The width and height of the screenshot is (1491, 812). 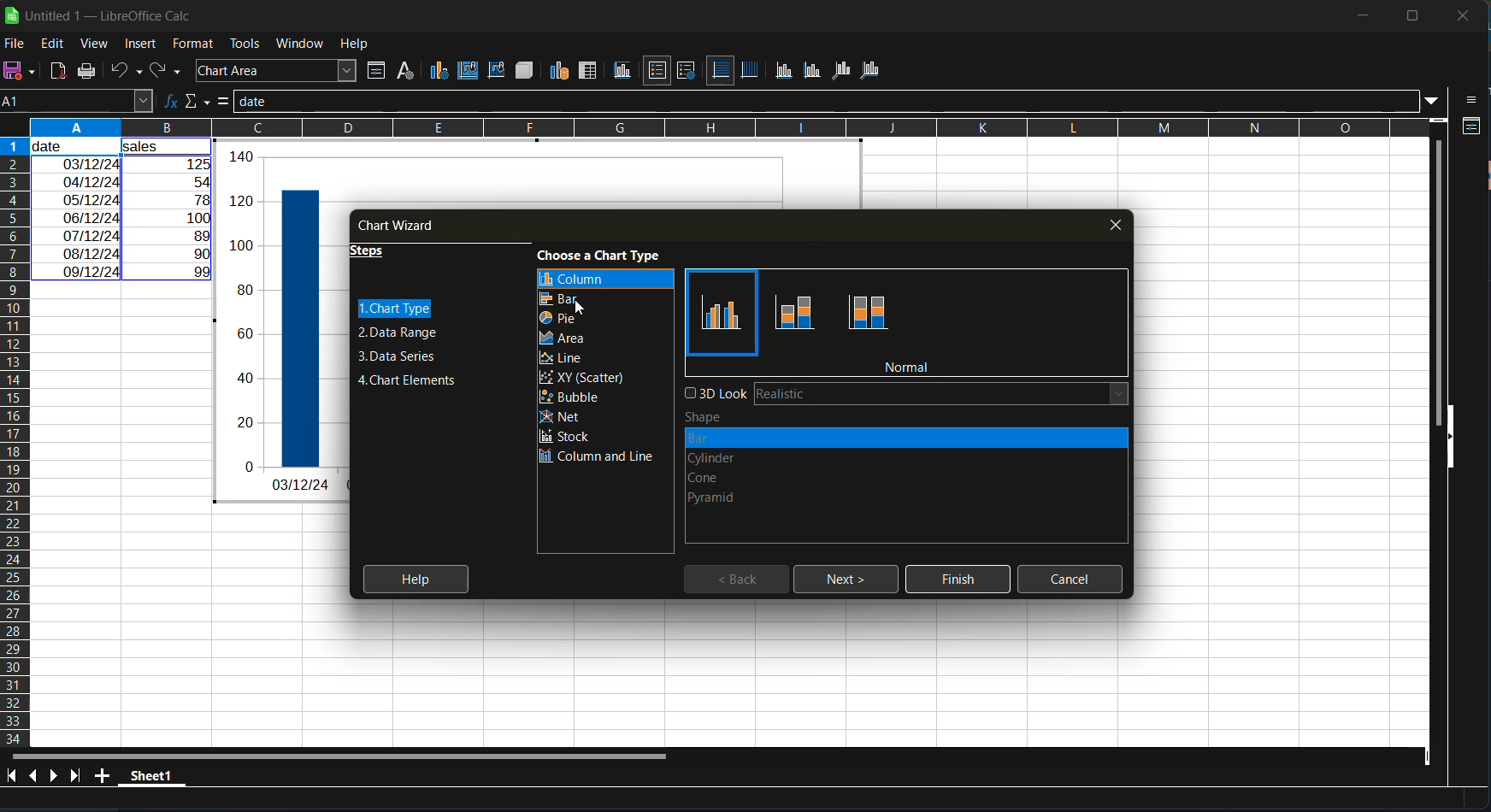 What do you see at coordinates (1362, 16) in the screenshot?
I see `minimize` at bounding box center [1362, 16].